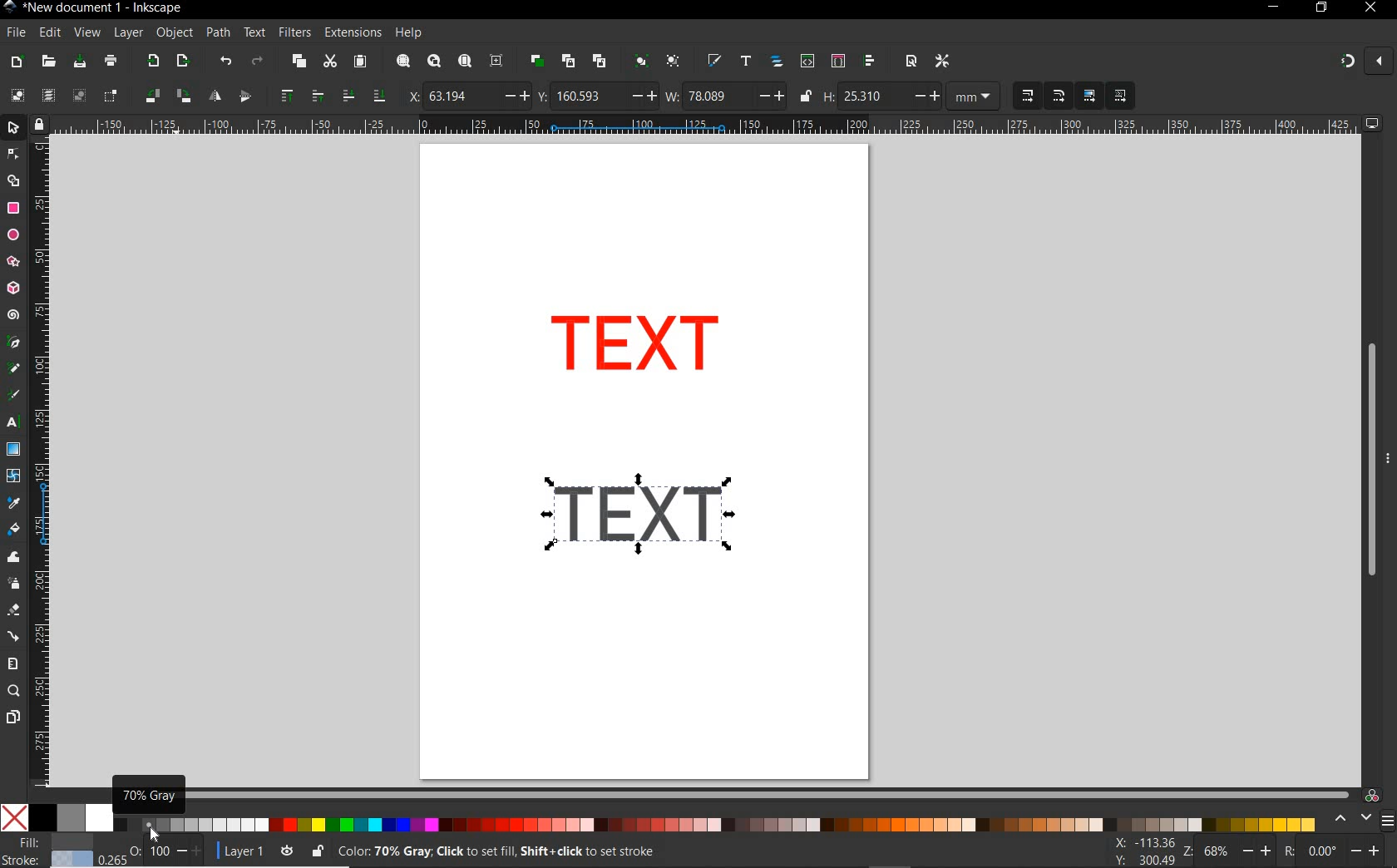  What do you see at coordinates (152, 835) in the screenshot?
I see `Cursor` at bounding box center [152, 835].